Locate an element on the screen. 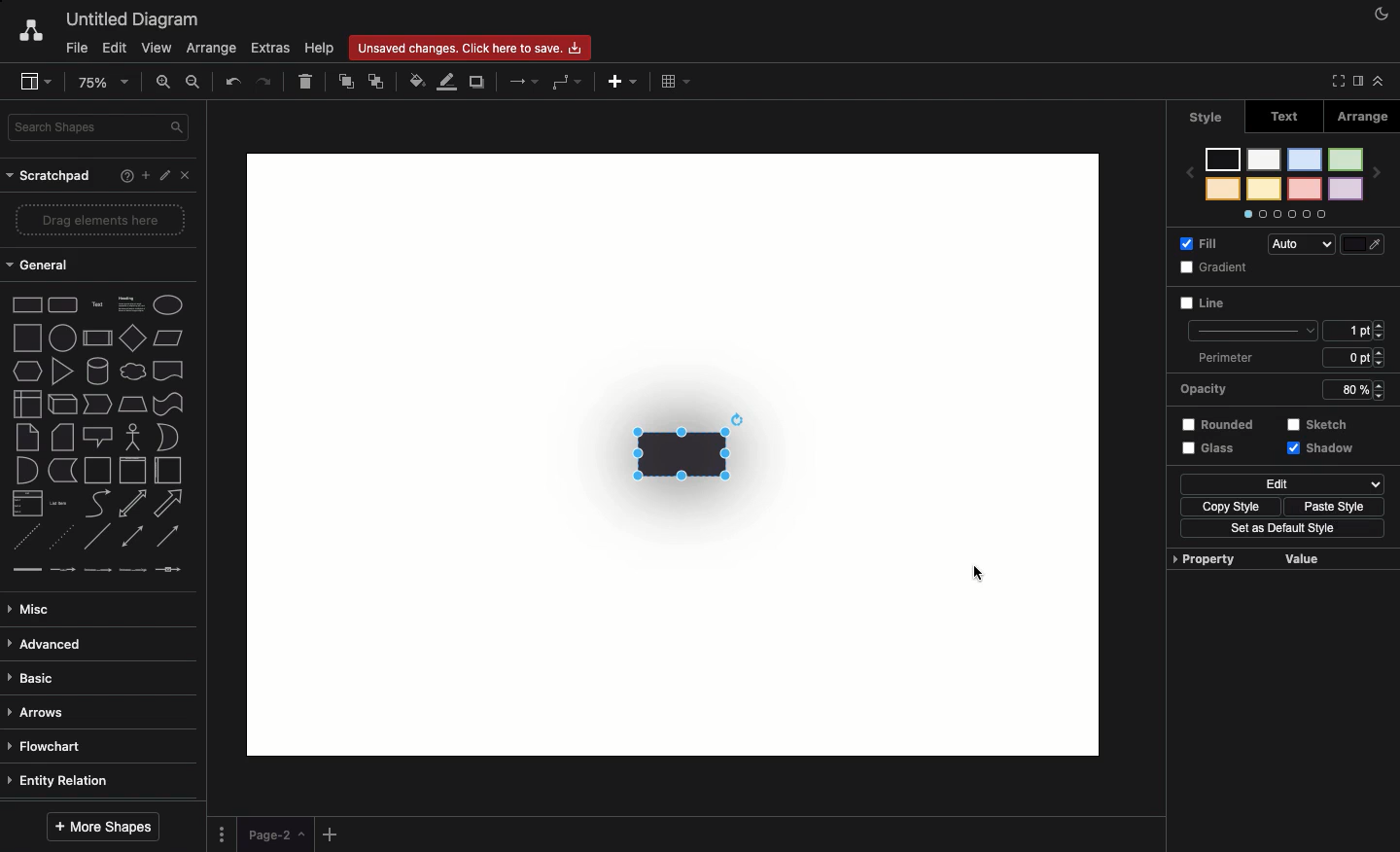 The image size is (1400, 852). callout is located at coordinates (99, 436).